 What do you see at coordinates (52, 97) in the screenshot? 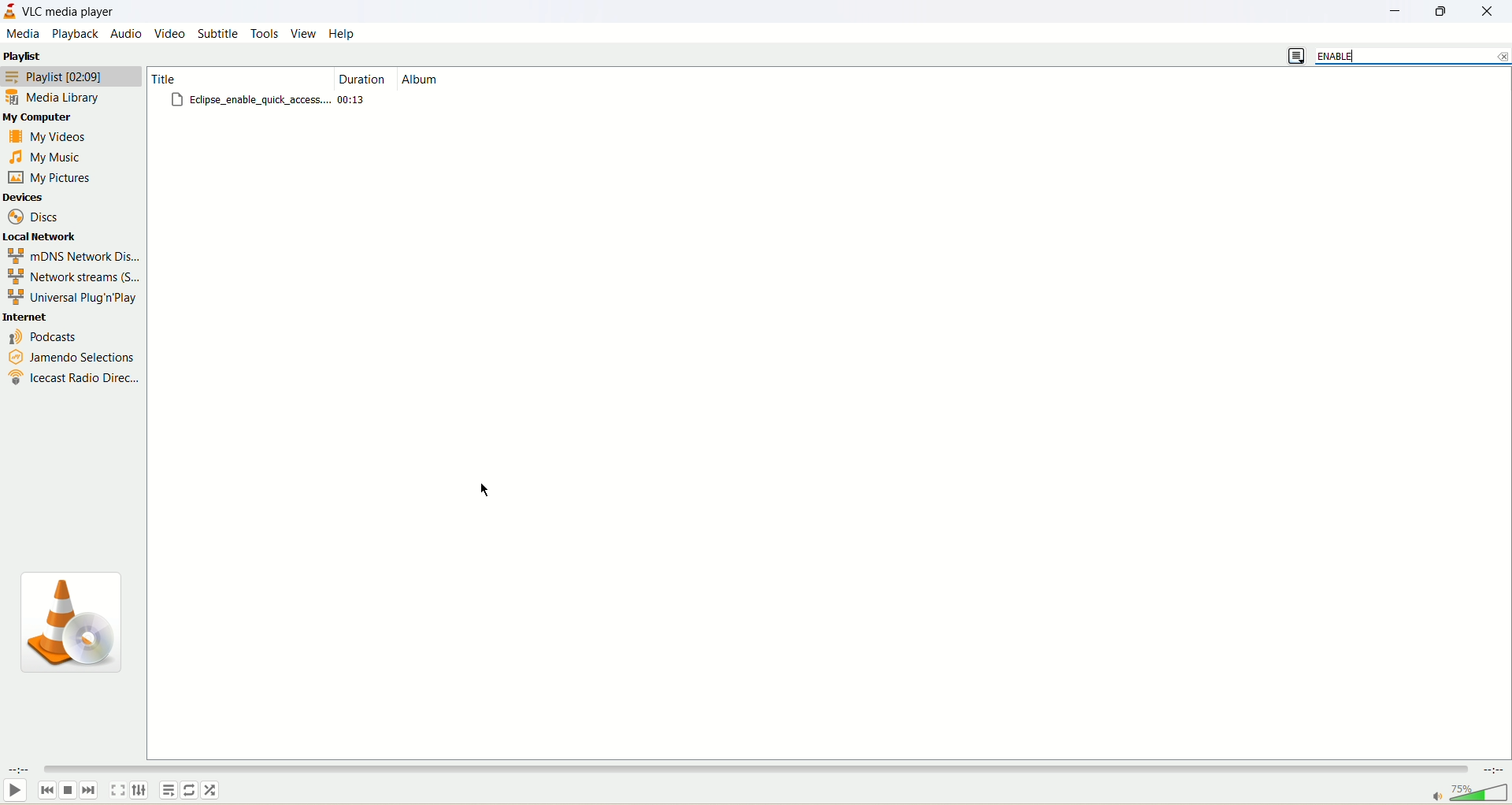
I see `media library` at bounding box center [52, 97].